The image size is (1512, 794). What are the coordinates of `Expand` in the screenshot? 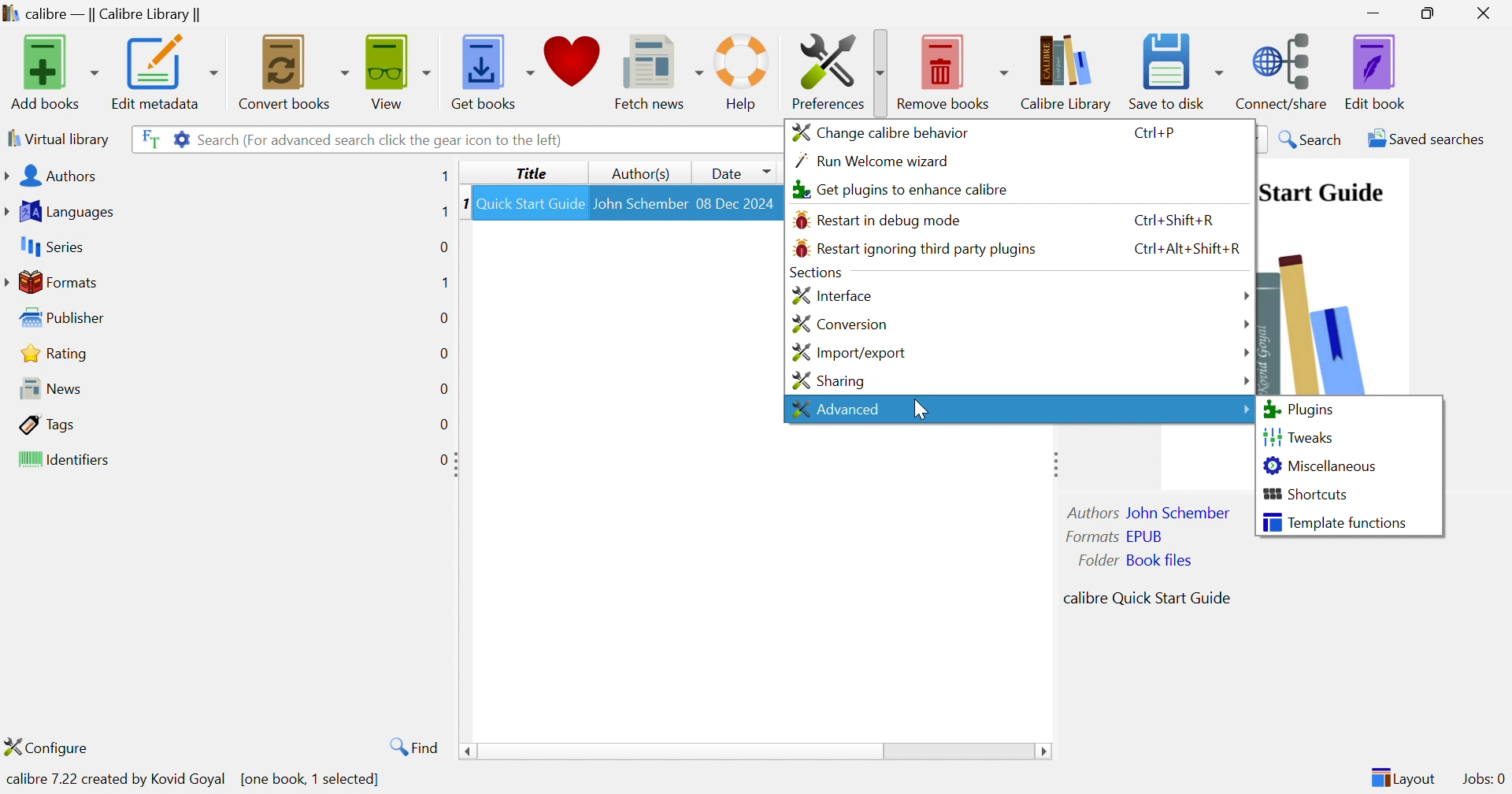 It's located at (1052, 463).